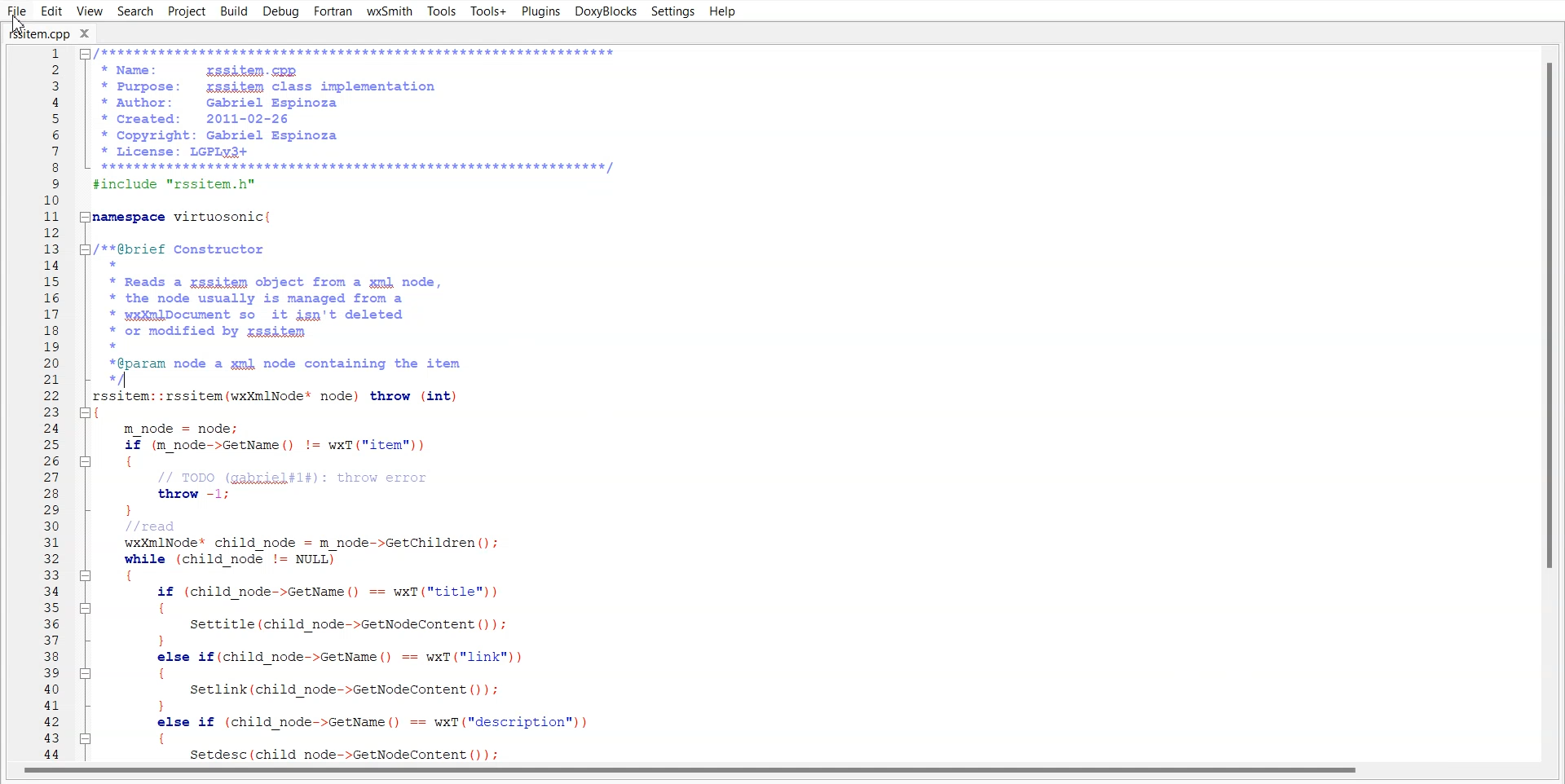 This screenshot has width=1565, height=784. I want to click on Project, so click(187, 11).